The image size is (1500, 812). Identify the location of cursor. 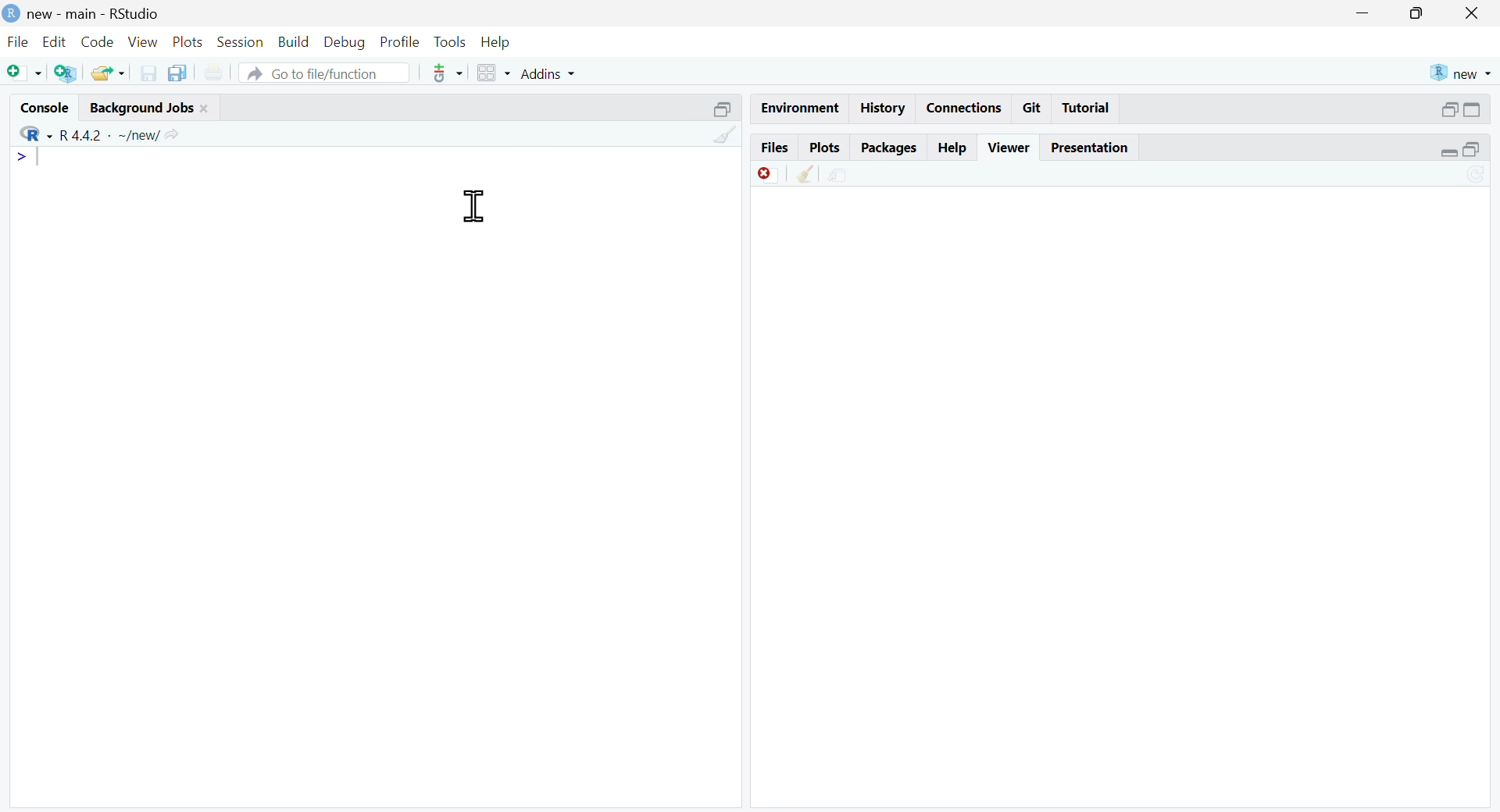
(476, 204).